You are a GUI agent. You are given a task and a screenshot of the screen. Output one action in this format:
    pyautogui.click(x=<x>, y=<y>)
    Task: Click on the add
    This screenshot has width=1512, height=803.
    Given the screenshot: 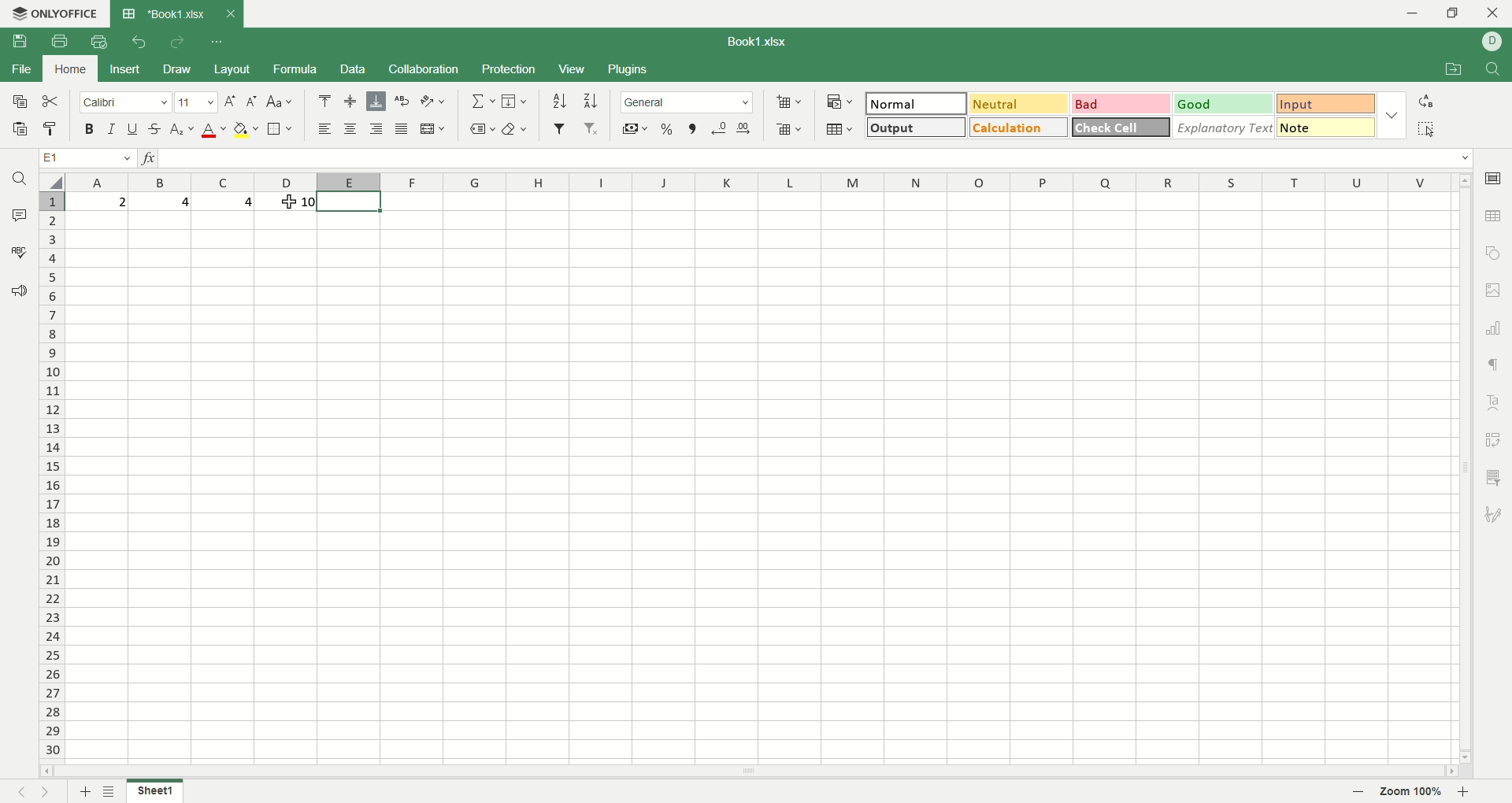 What is the action you would take?
    pyautogui.click(x=82, y=791)
    